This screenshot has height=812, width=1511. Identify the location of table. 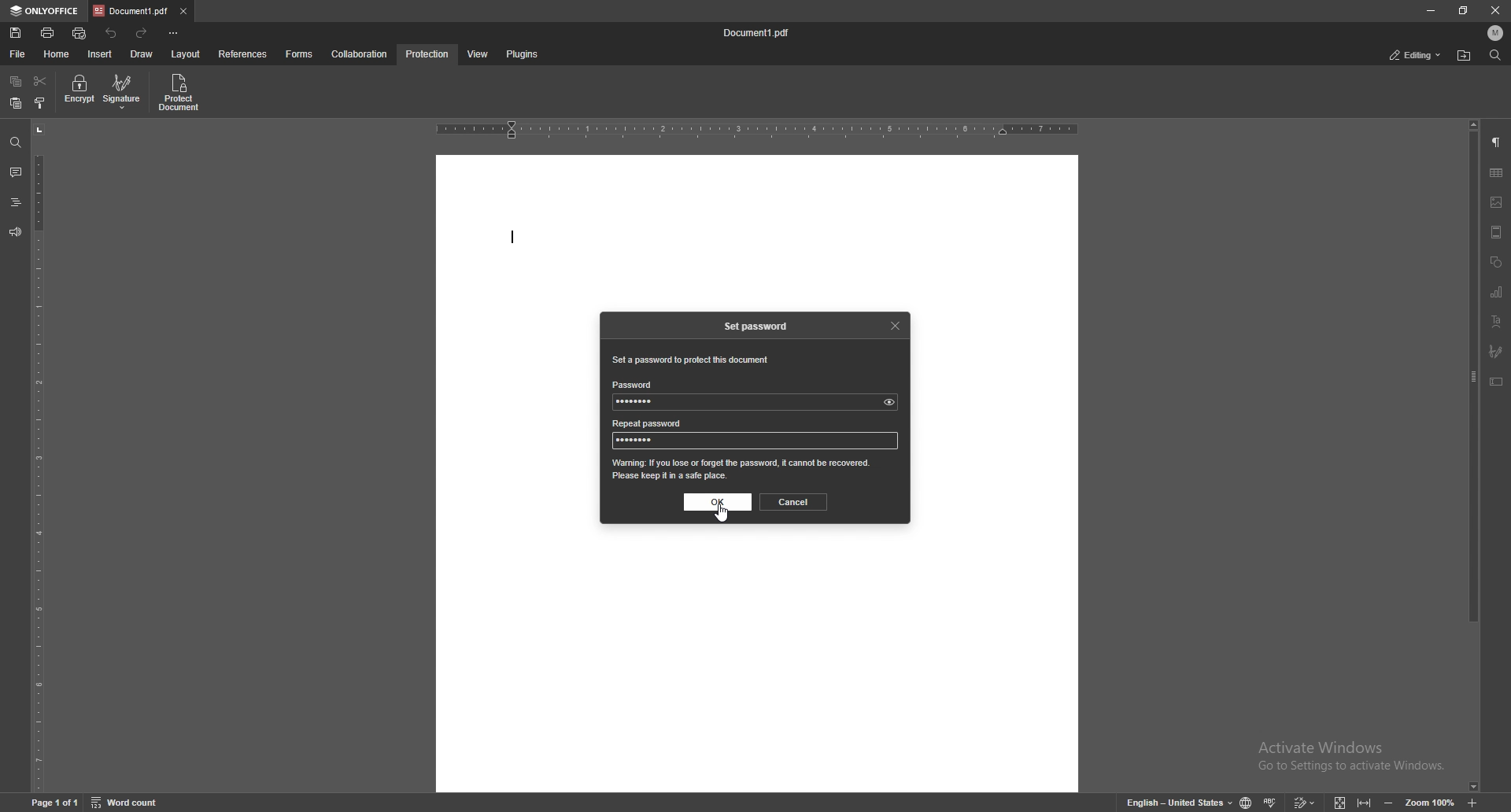
(1498, 174).